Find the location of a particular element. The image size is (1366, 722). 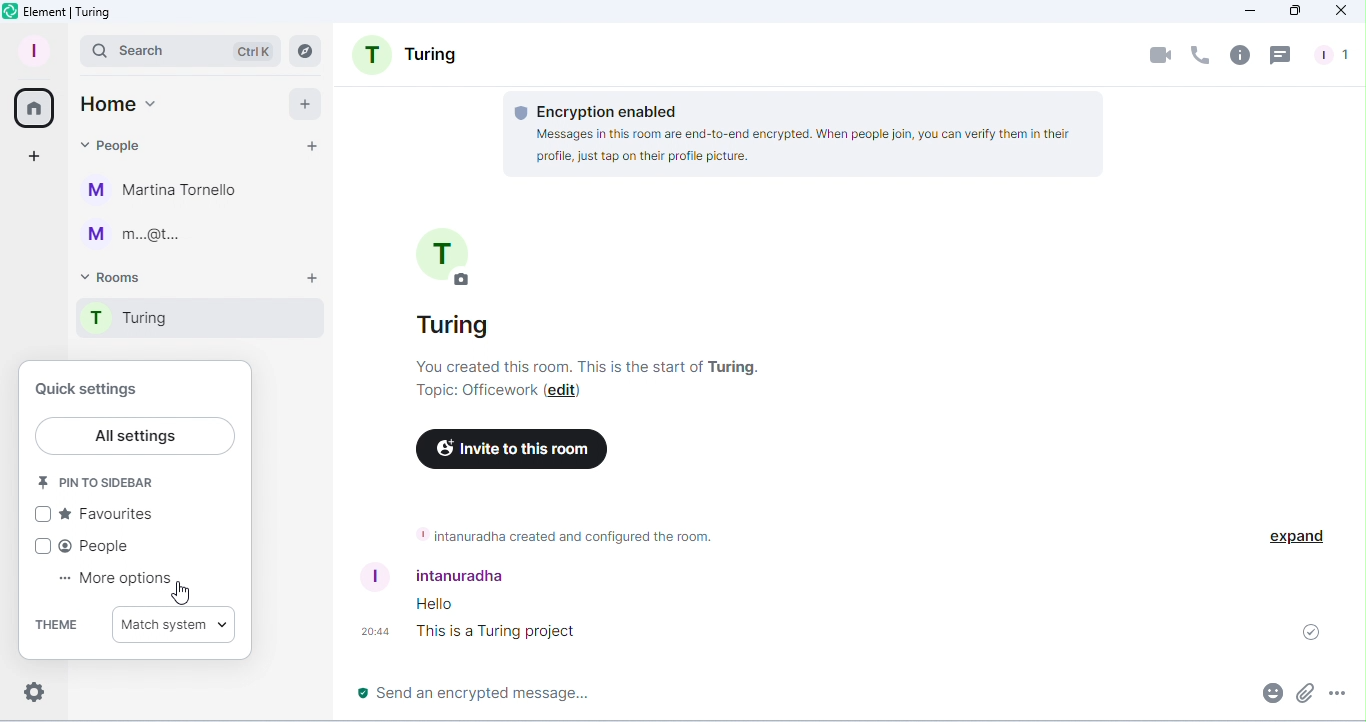

People is located at coordinates (115, 149).